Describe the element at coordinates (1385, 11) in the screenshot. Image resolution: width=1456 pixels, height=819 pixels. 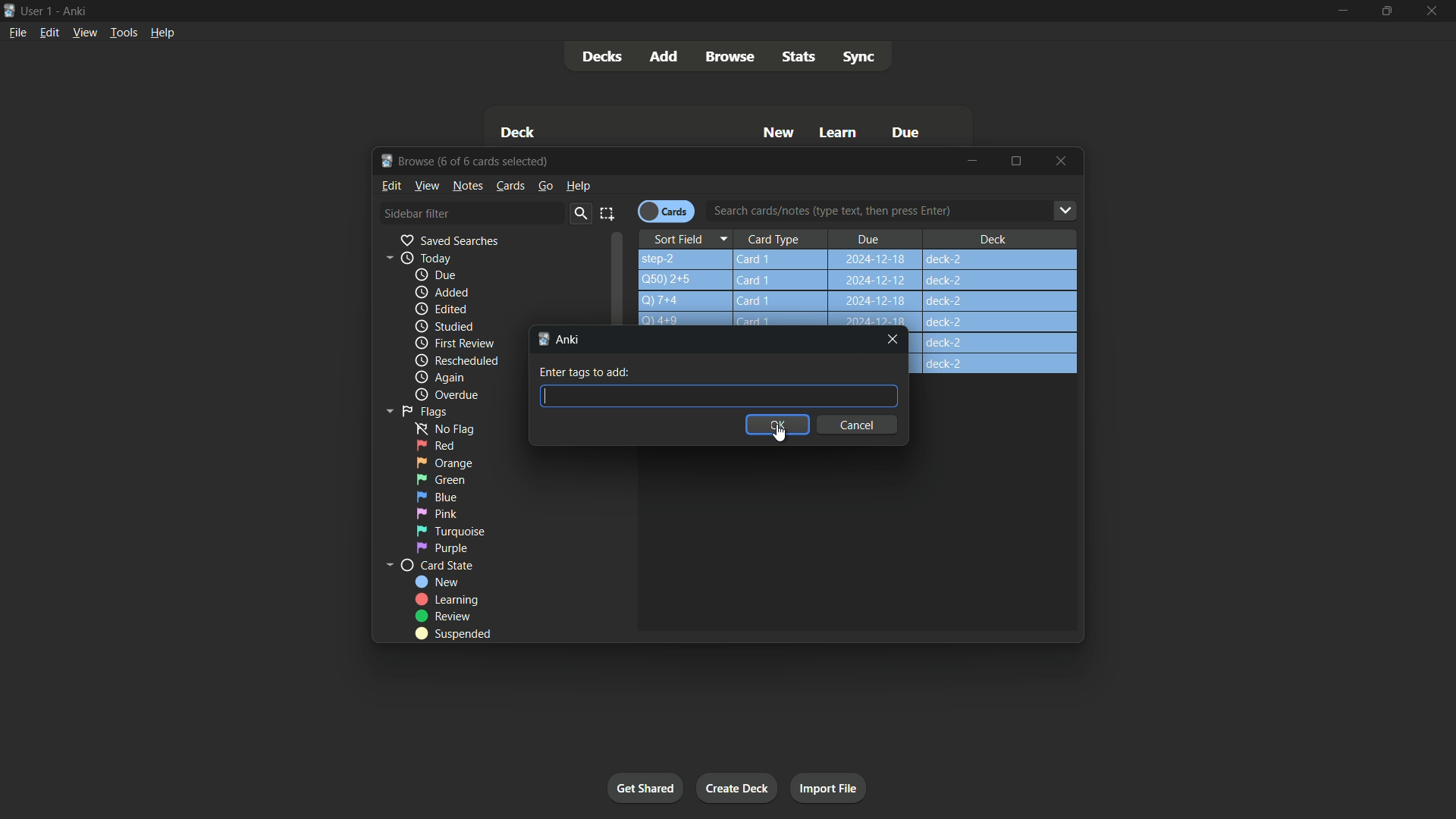
I see `Maximize` at that location.